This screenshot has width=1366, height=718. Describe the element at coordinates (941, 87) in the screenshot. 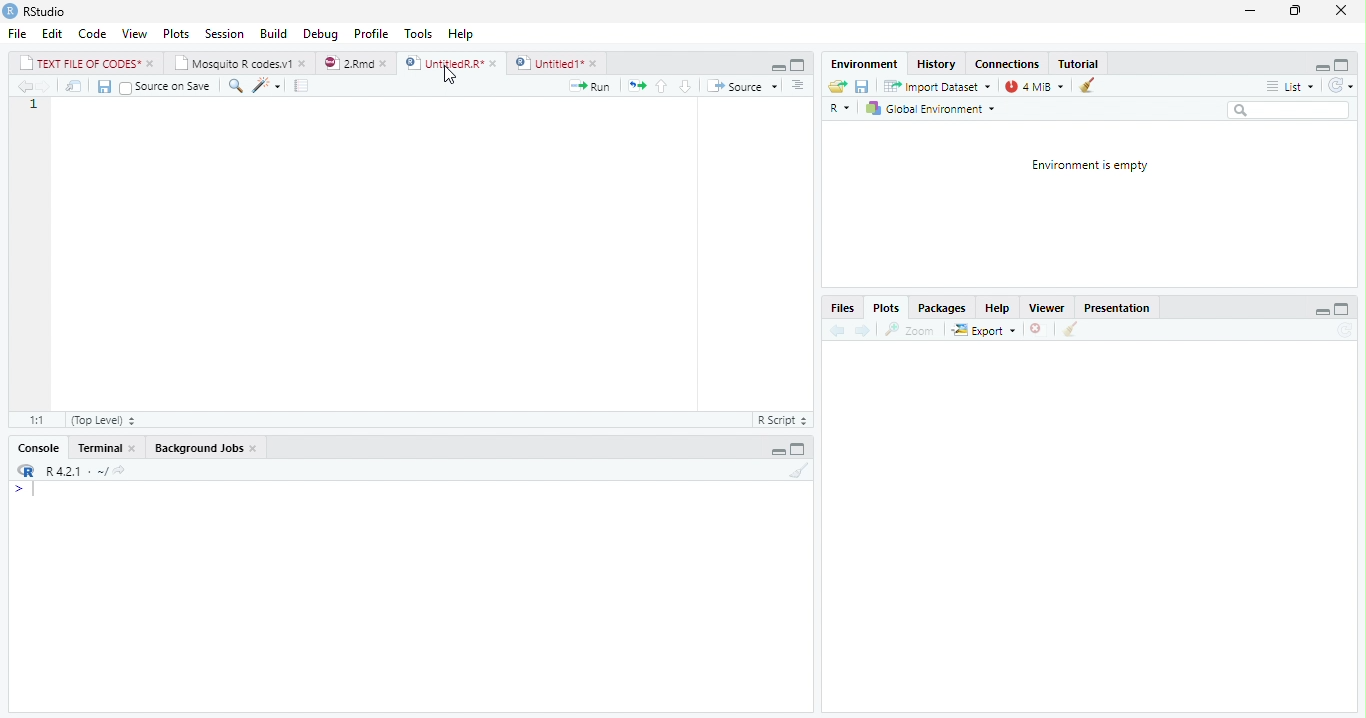

I see `imoort Dataset ~` at that location.